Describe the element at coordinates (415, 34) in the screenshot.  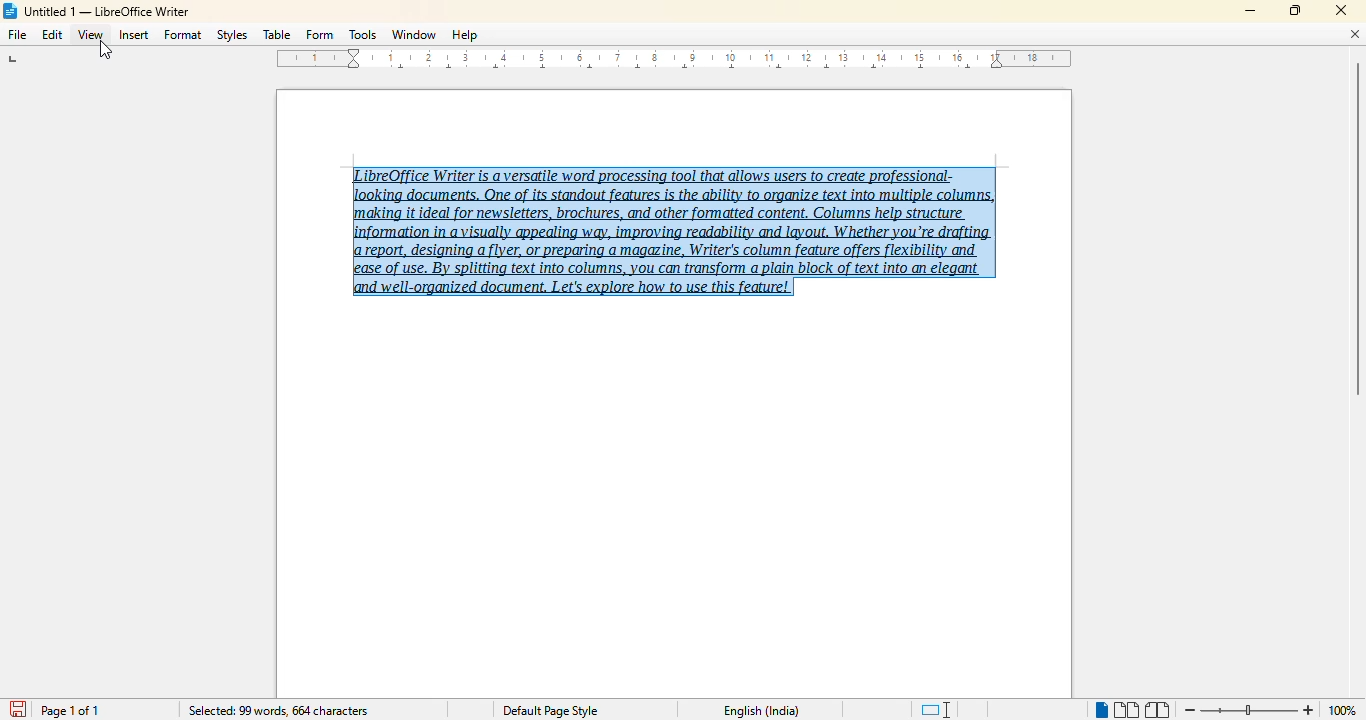
I see `window` at that location.